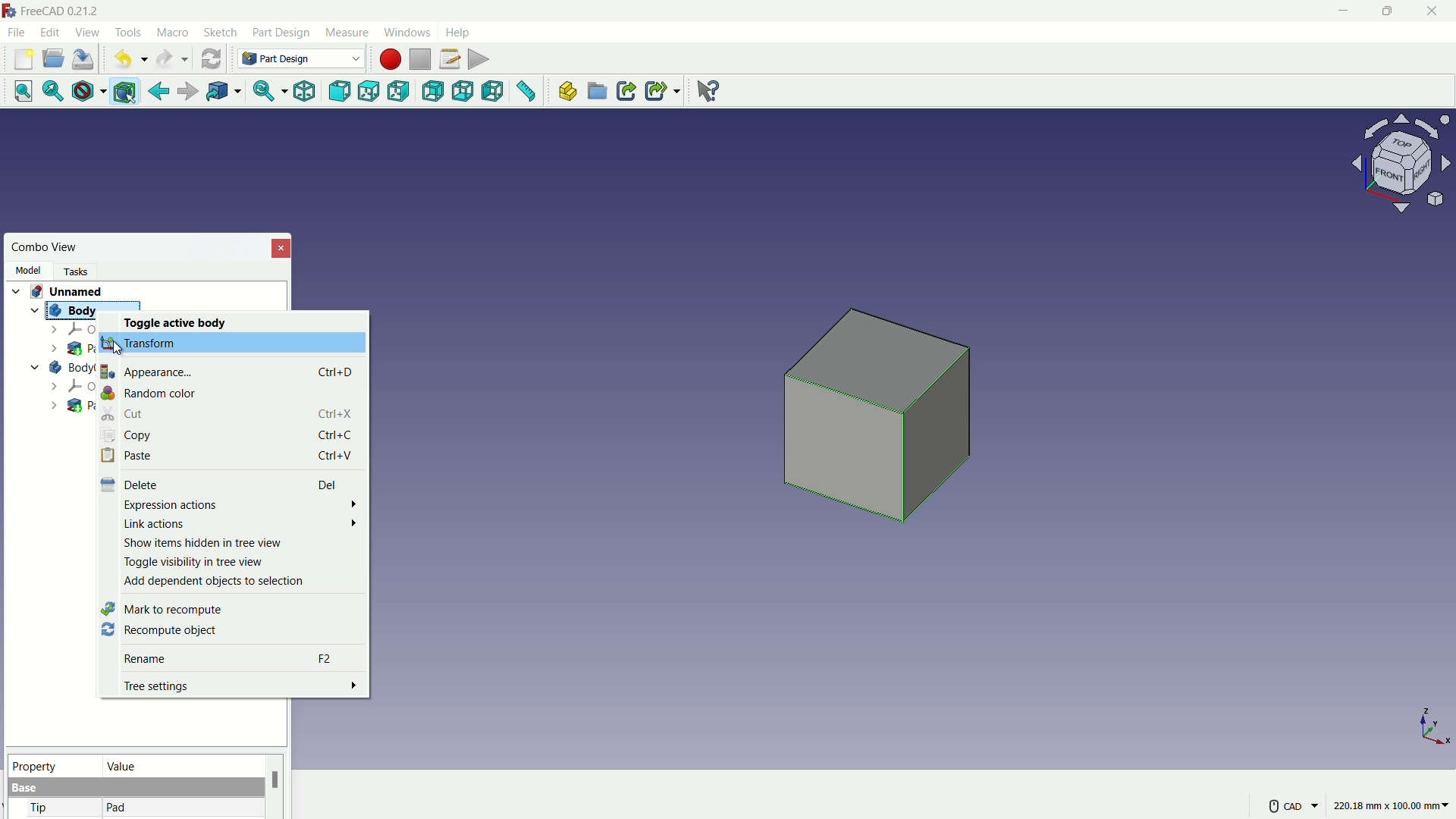 The image size is (1456, 819). Describe the element at coordinates (663, 91) in the screenshot. I see `make sublink` at that location.